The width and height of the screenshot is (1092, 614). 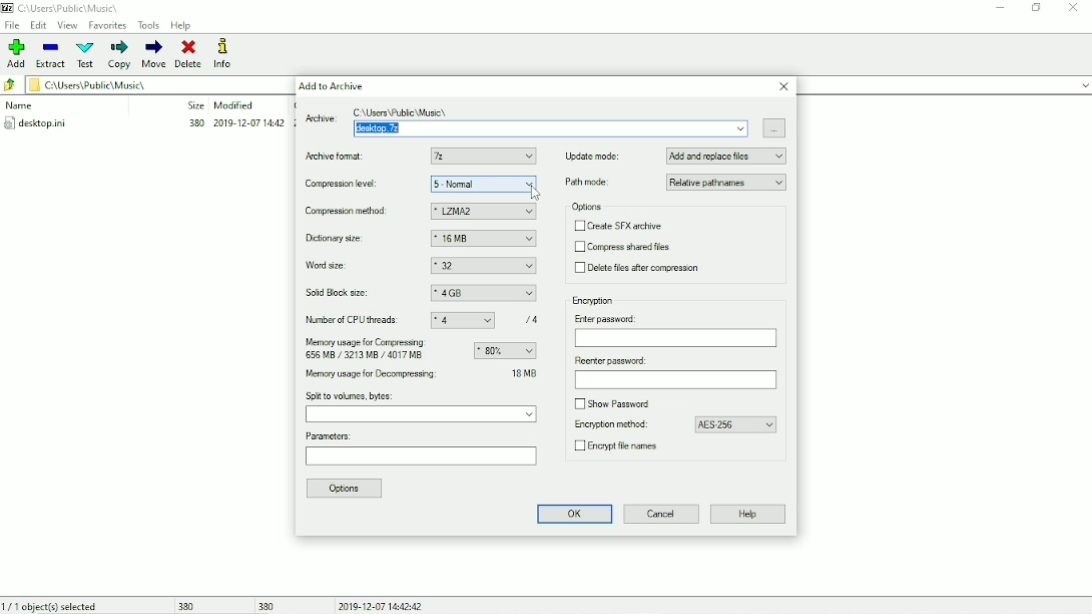 I want to click on Archive, so click(x=551, y=129).